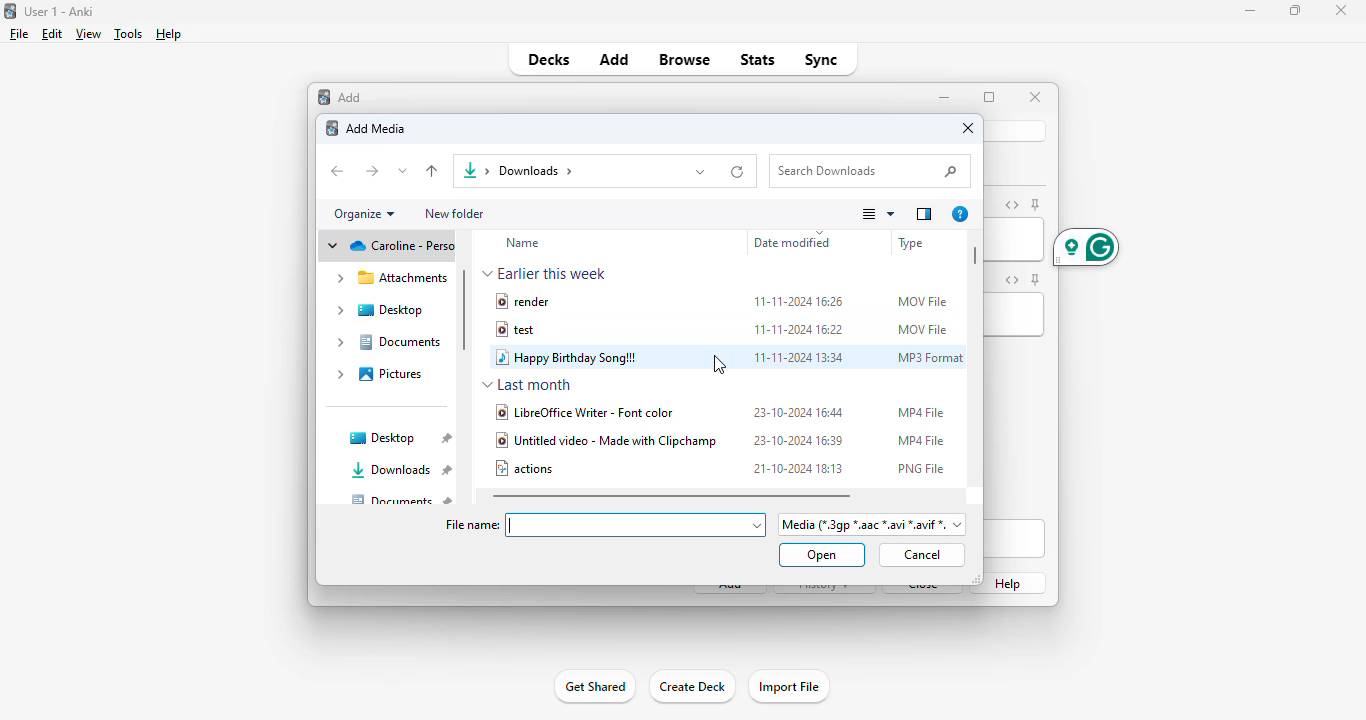 The width and height of the screenshot is (1366, 720). I want to click on add, so click(324, 98).